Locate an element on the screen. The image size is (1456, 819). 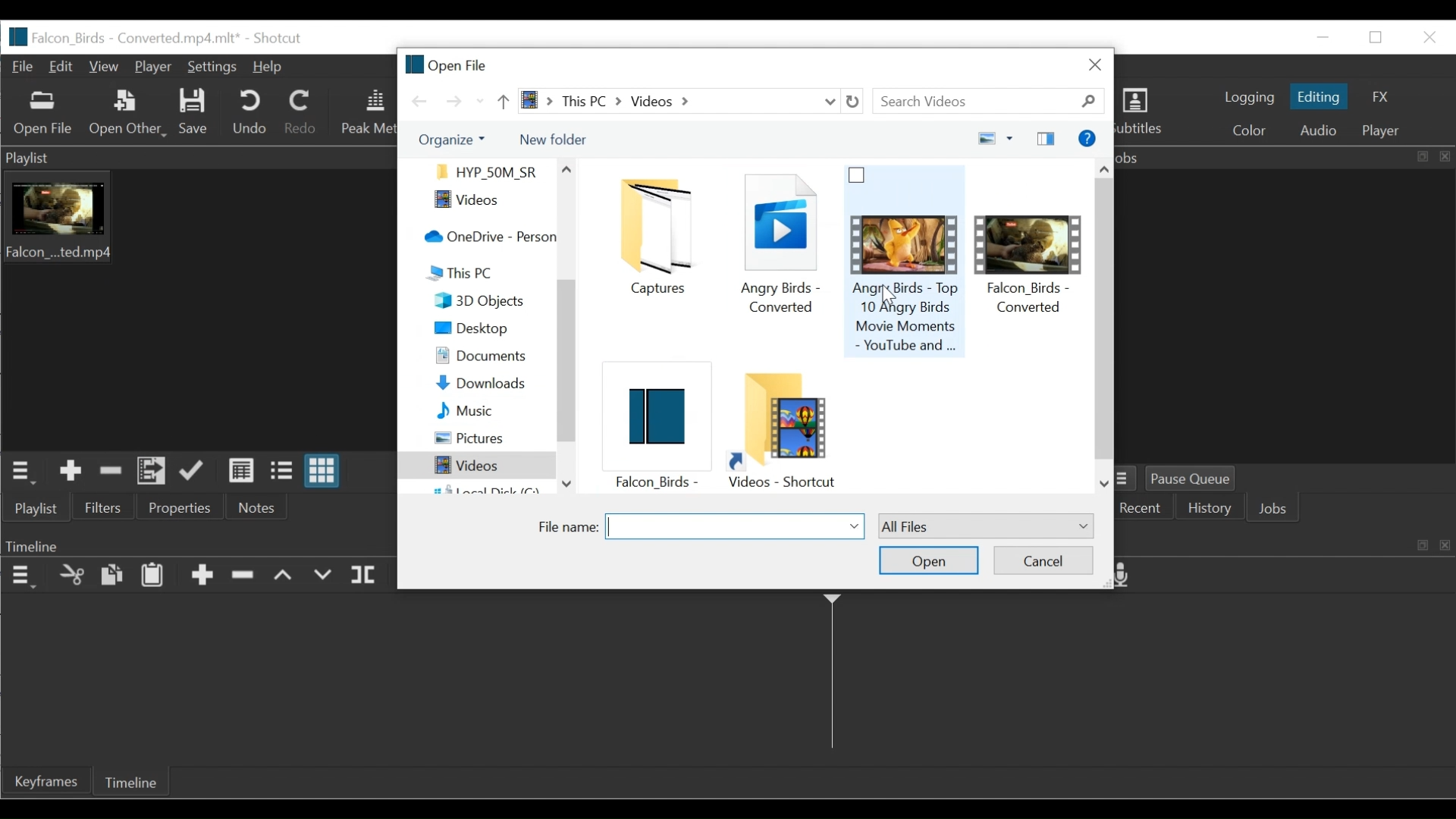
Add the Source to the playlist is located at coordinates (71, 472).